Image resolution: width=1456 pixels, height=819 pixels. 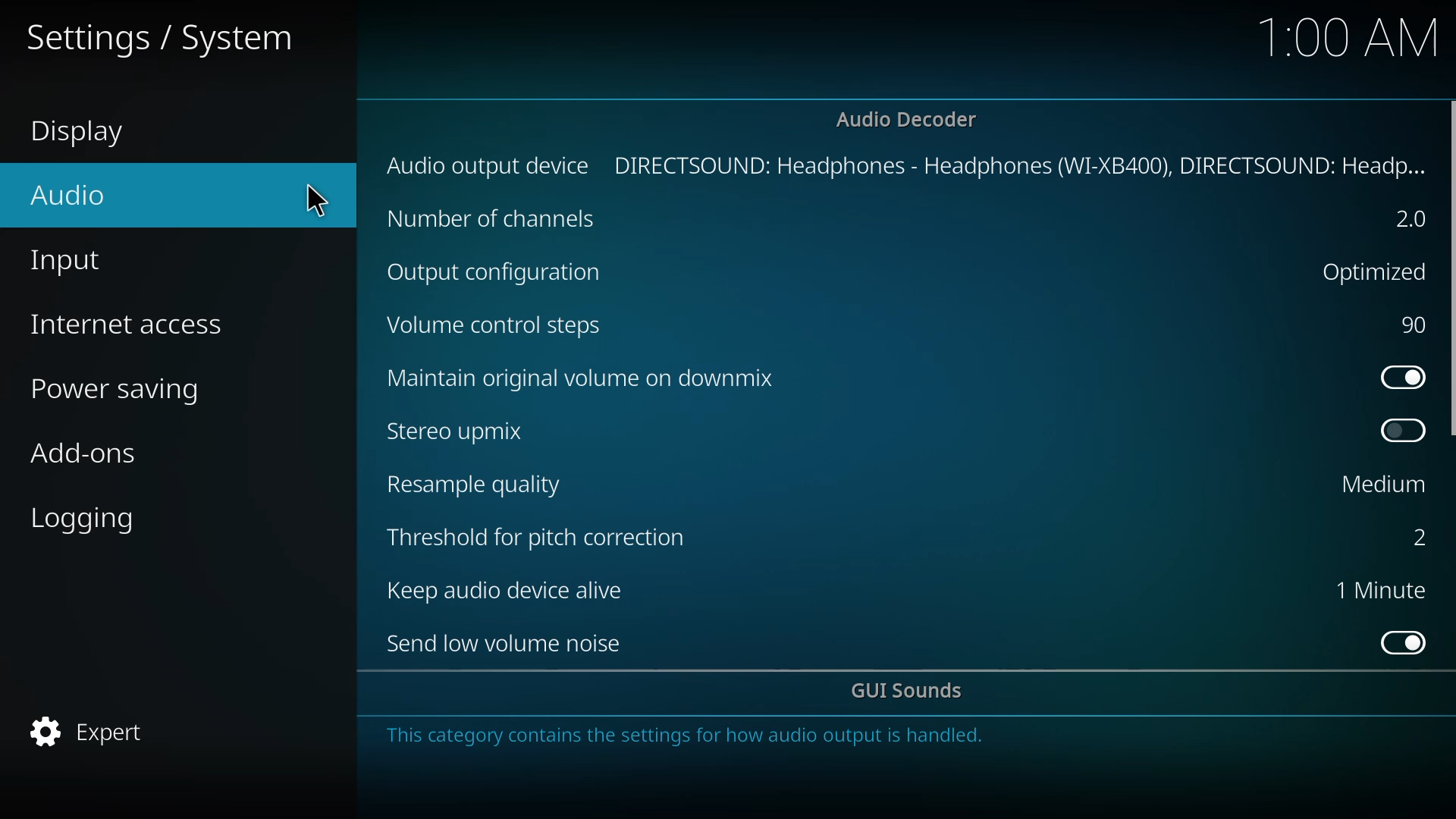 What do you see at coordinates (93, 456) in the screenshot?
I see `add-ons` at bounding box center [93, 456].